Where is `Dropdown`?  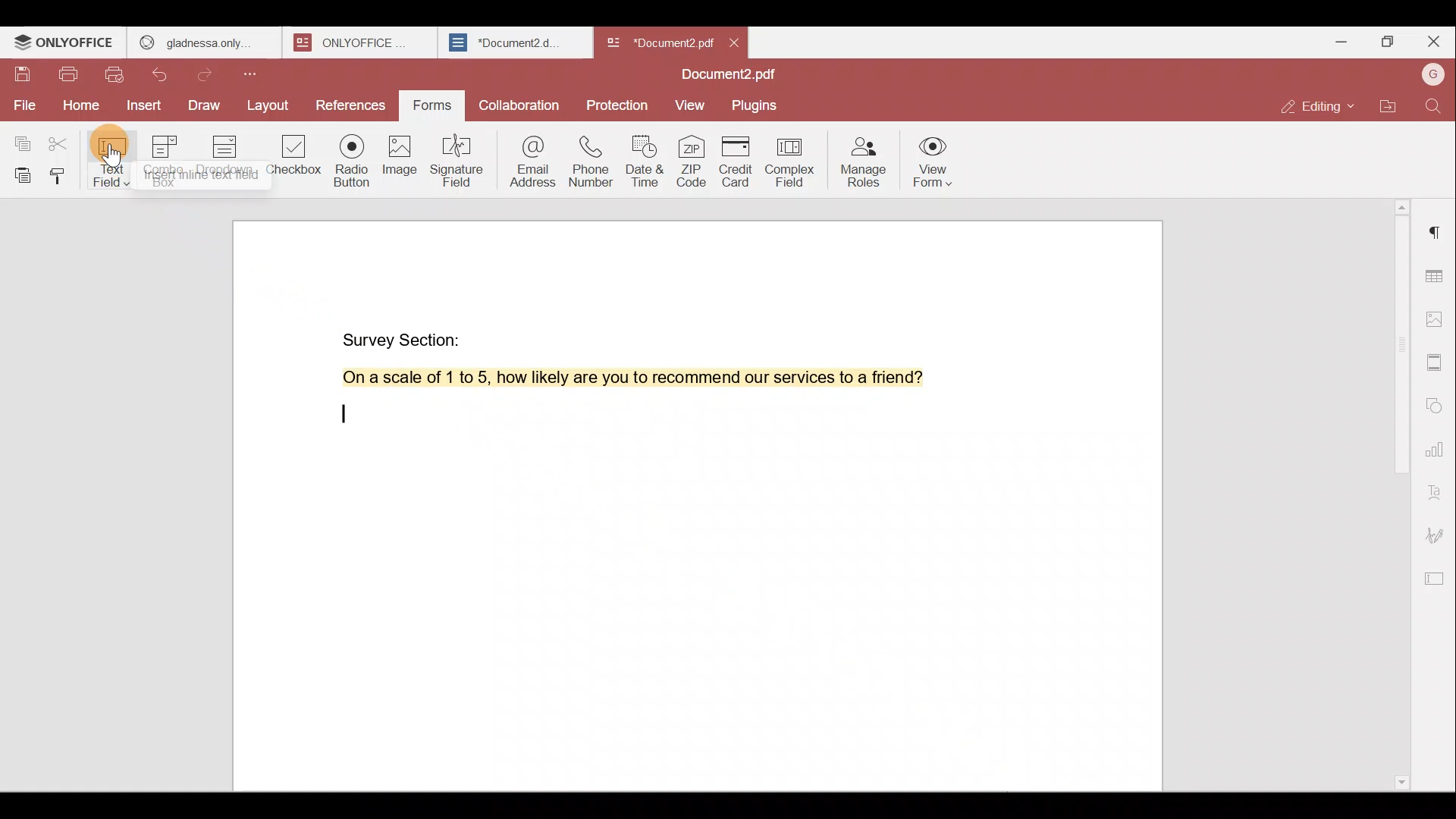
Dropdown is located at coordinates (227, 155).